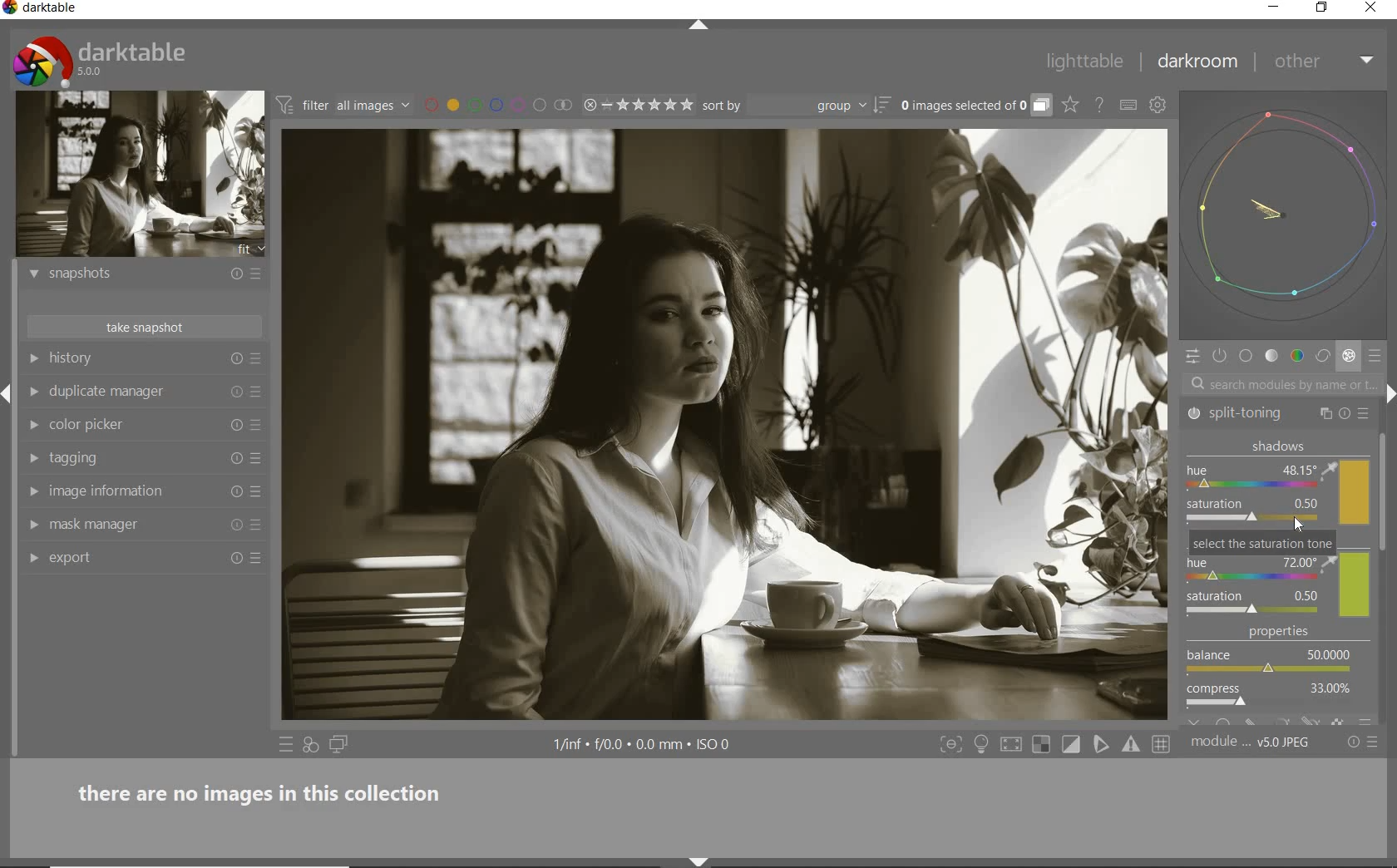 The height and width of the screenshot is (868, 1397). What do you see at coordinates (32, 525) in the screenshot?
I see `show module` at bounding box center [32, 525].